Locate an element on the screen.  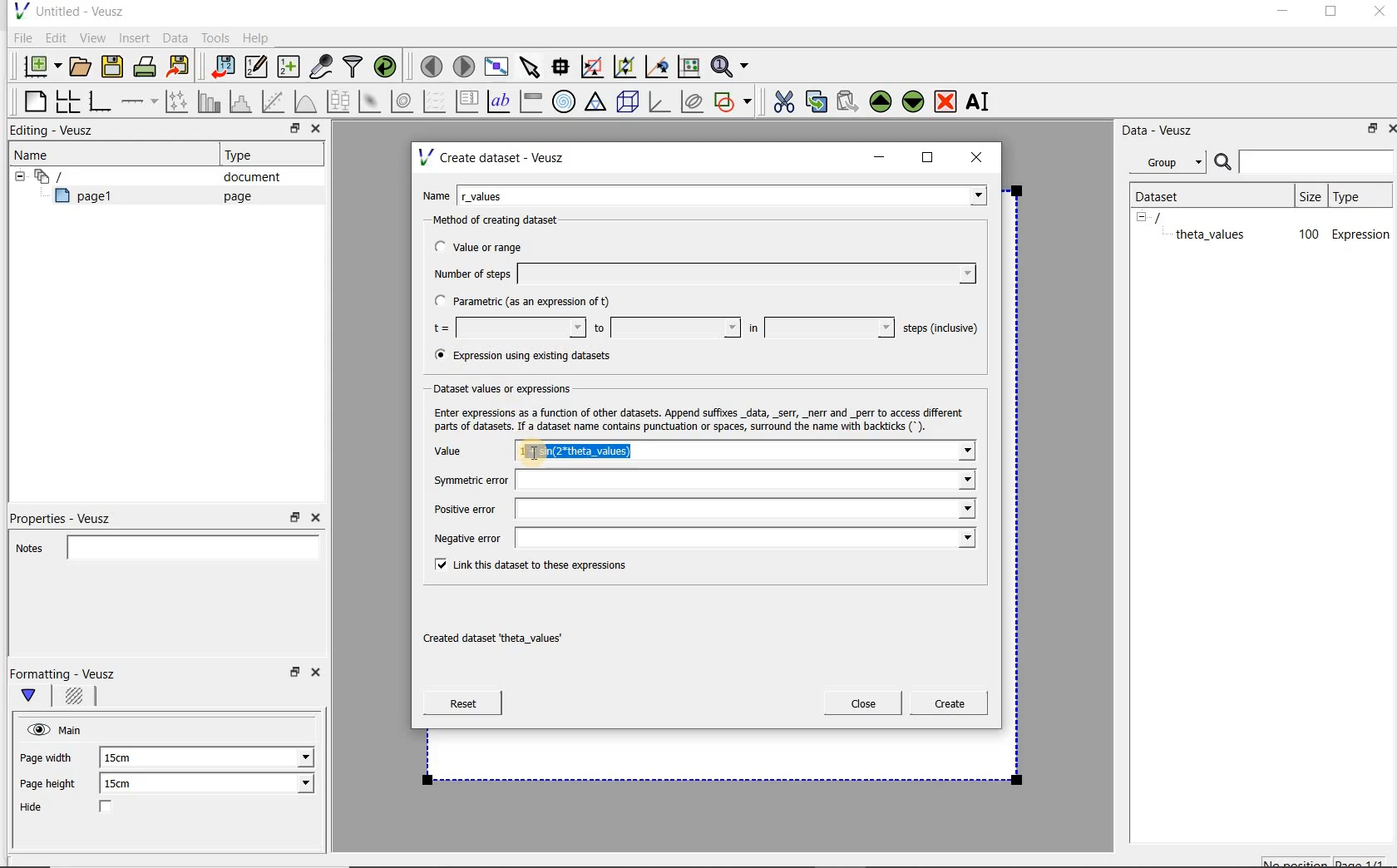
move to the previous page is located at coordinates (432, 64).